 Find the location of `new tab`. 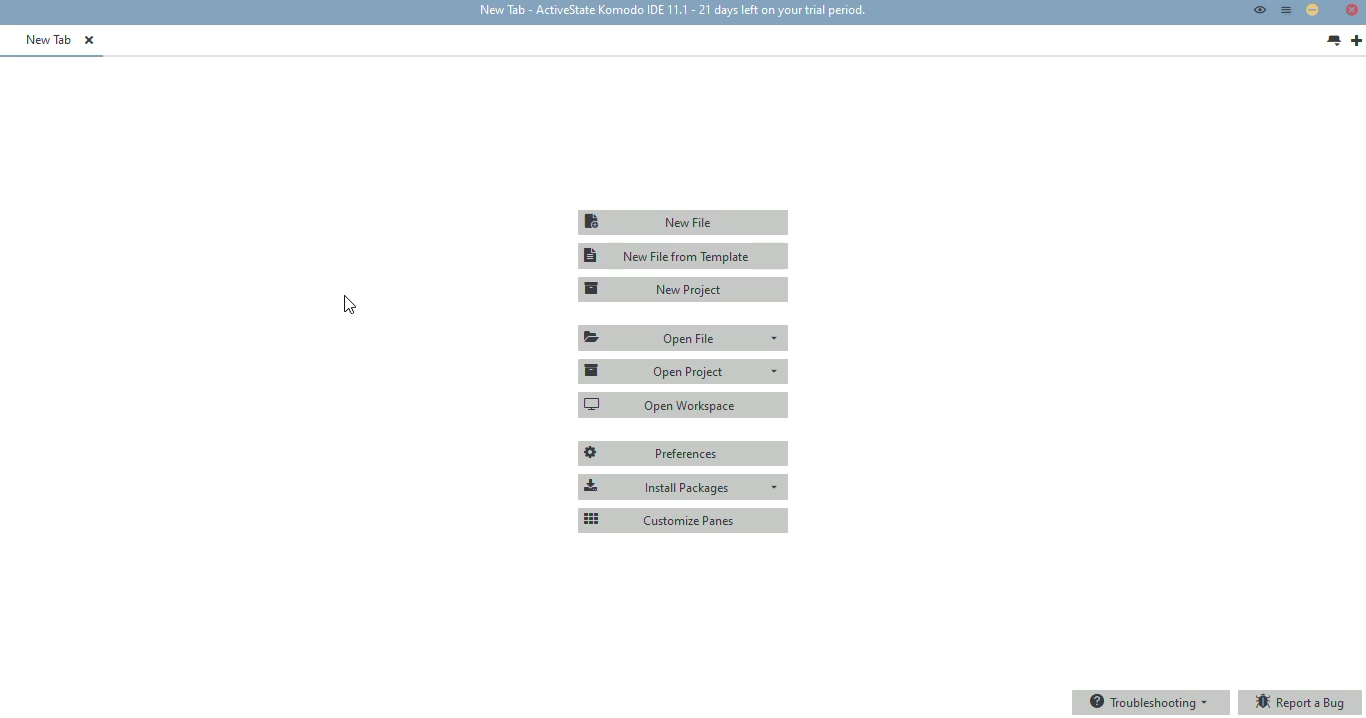

new tab is located at coordinates (50, 39).